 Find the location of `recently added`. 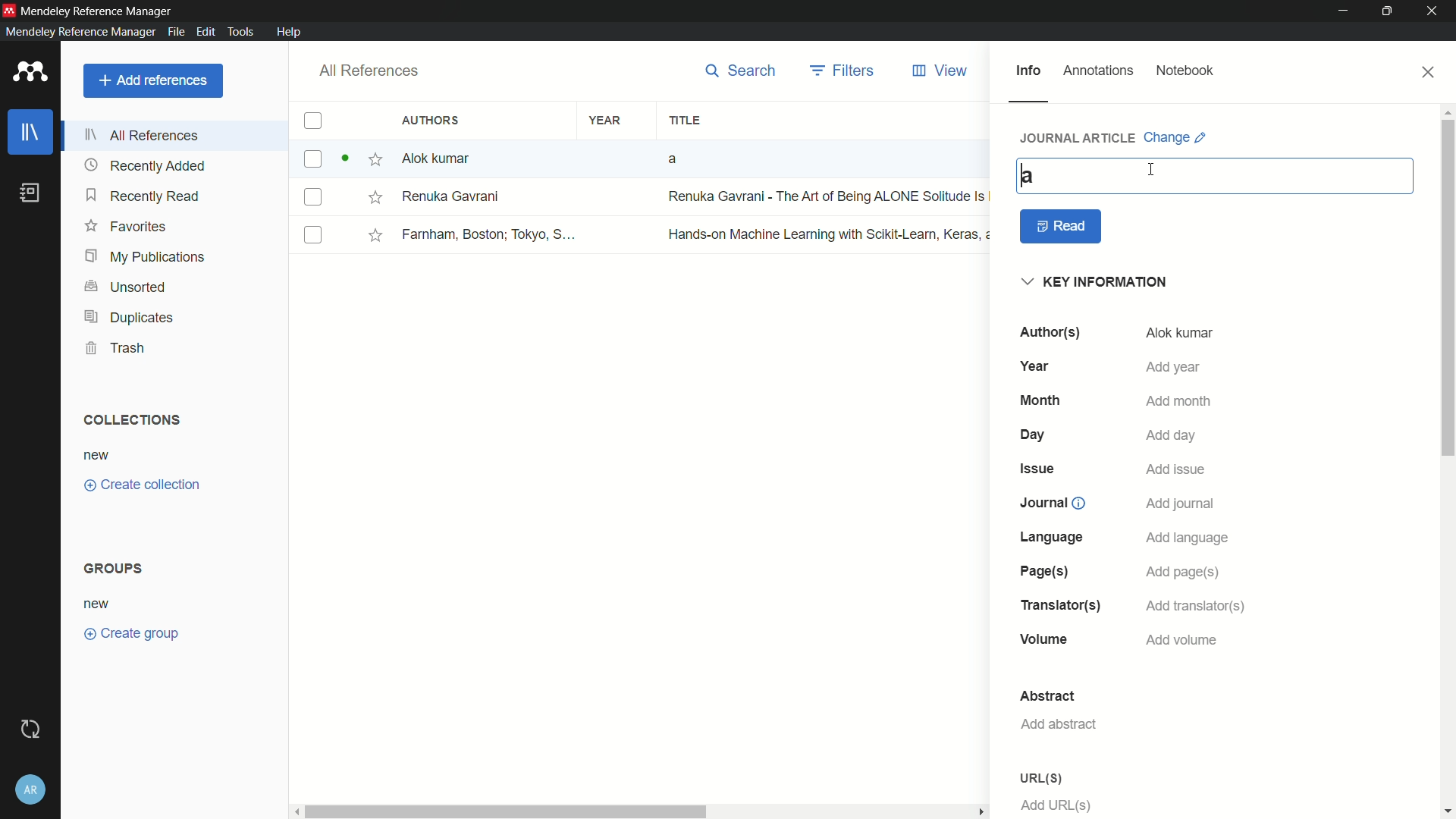

recently added is located at coordinates (145, 166).